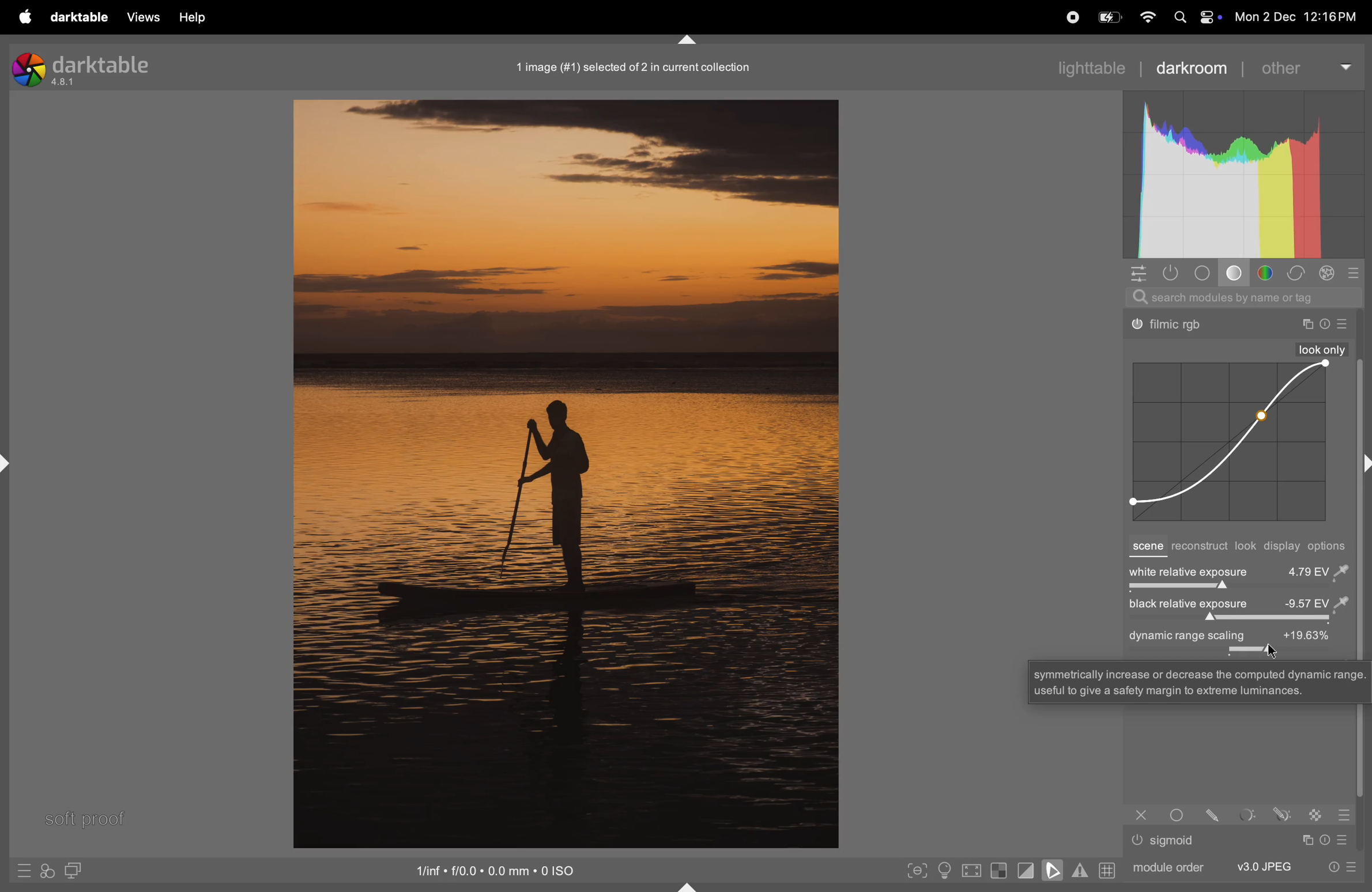 The image size is (1372, 892). Describe the element at coordinates (998, 870) in the screenshot. I see `toggle indications of raw exposure` at that location.